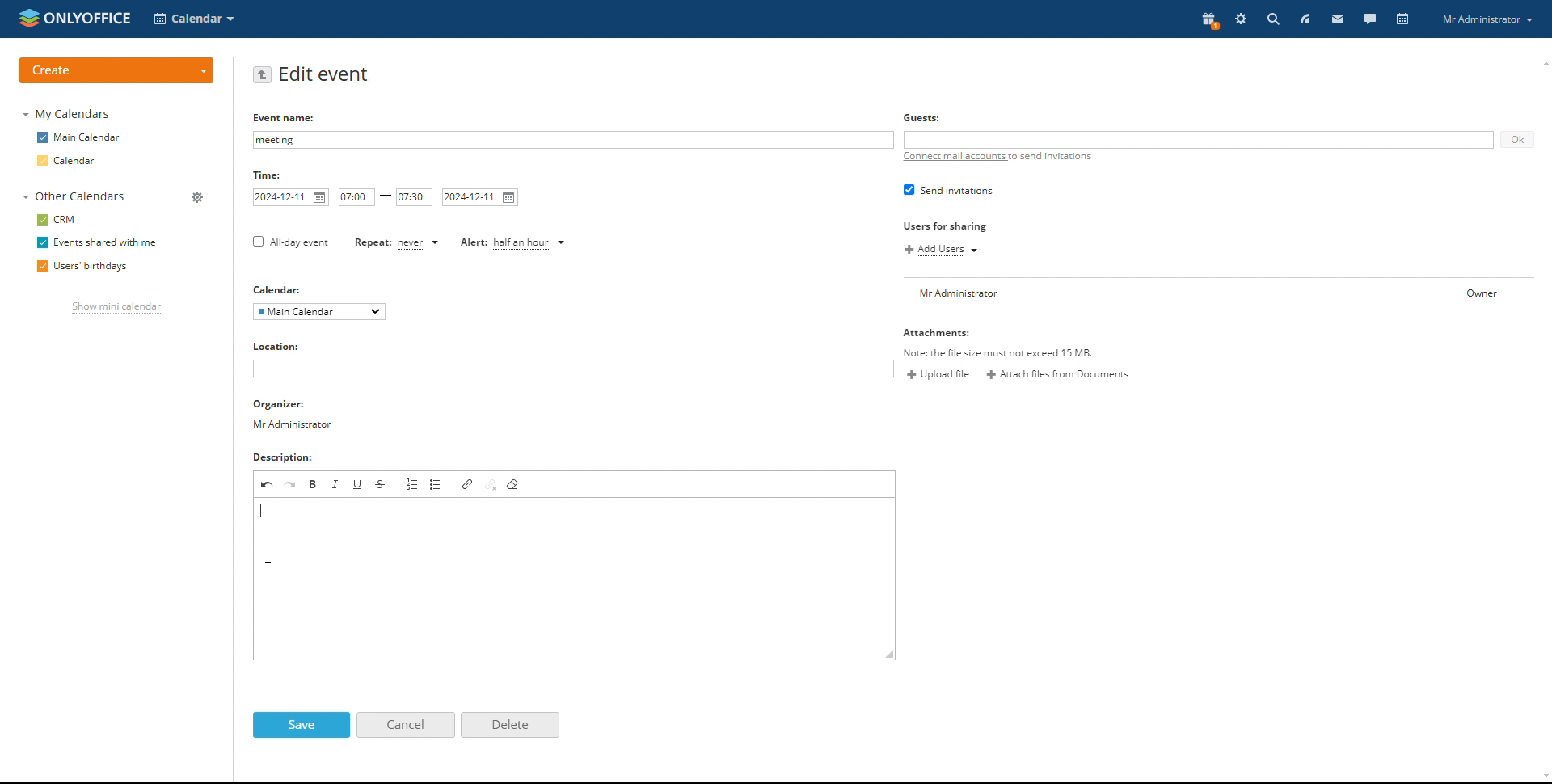 The height and width of the screenshot is (784, 1552). What do you see at coordinates (473, 243) in the screenshot?
I see `Alert:` at bounding box center [473, 243].